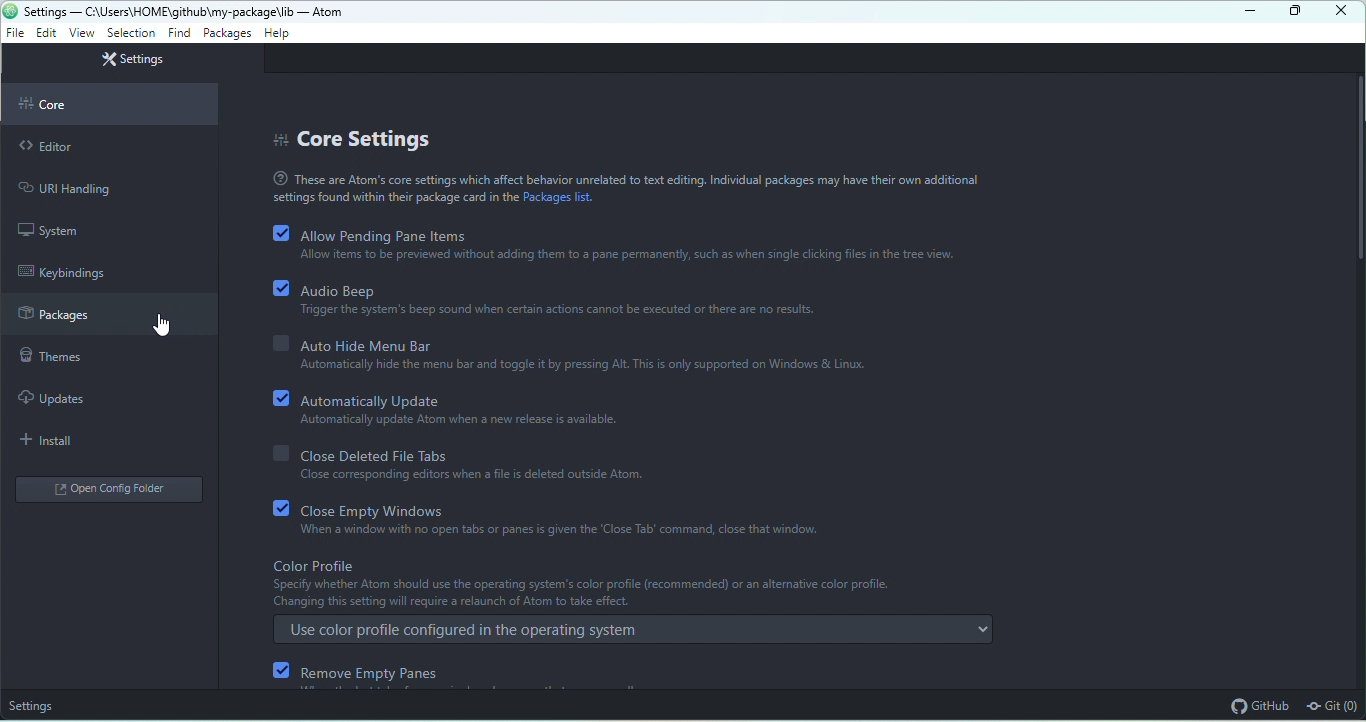 The height and width of the screenshot is (722, 1366). I want to click on github, so click(1260, 705).